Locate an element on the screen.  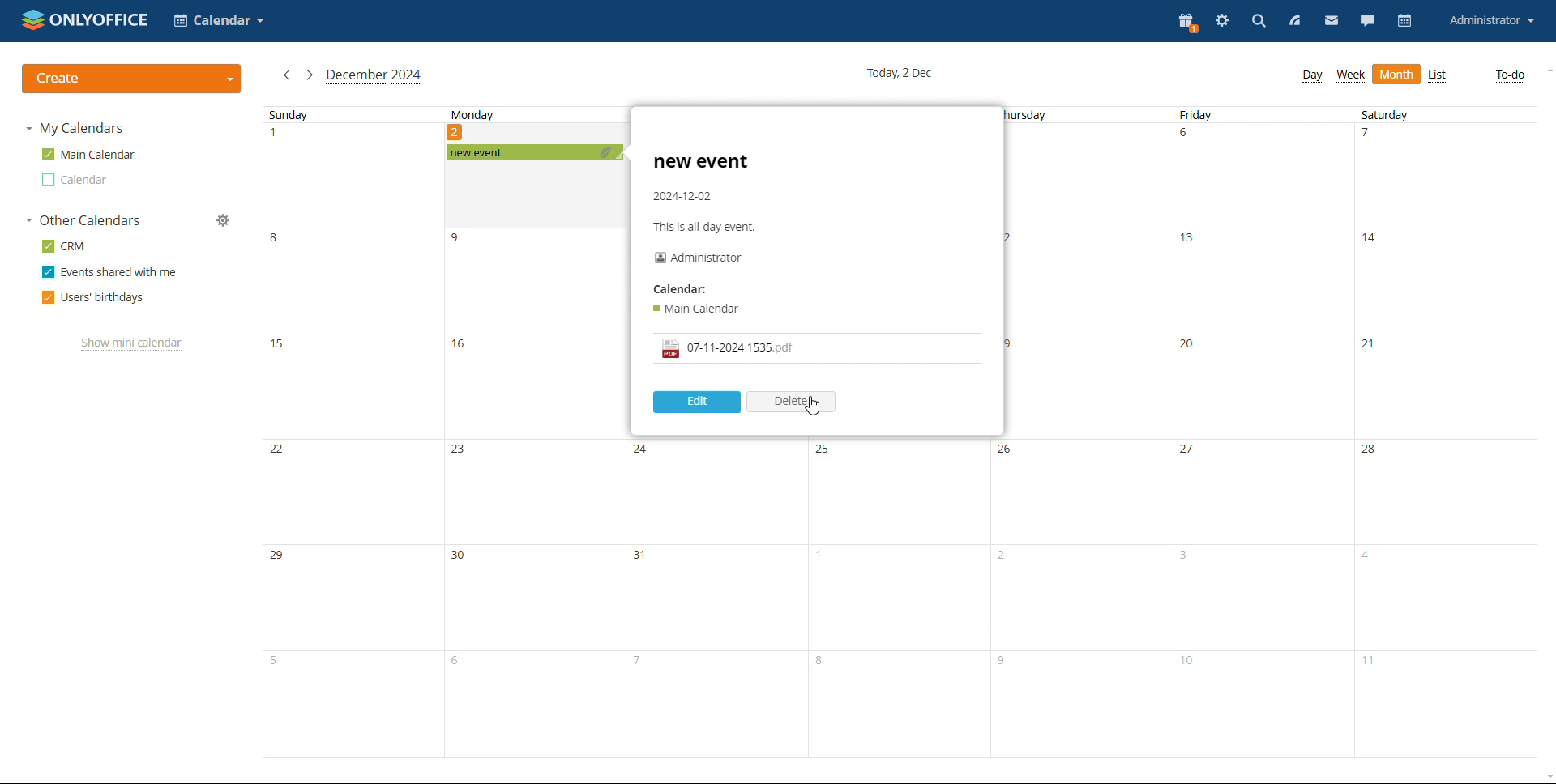
2 is located at coordinates (1002, 558).